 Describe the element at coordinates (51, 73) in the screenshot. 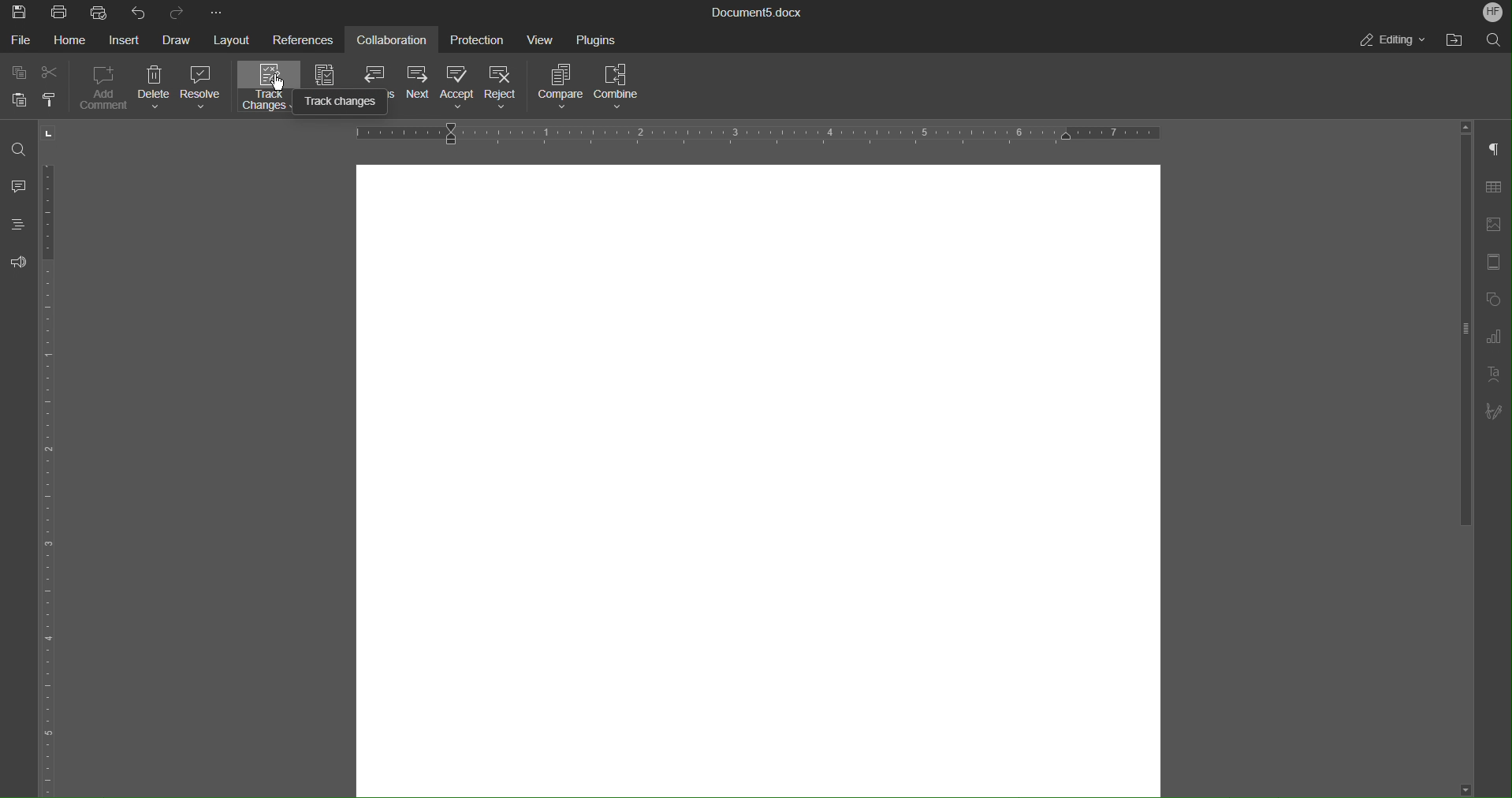

I see `Cut` at that location.